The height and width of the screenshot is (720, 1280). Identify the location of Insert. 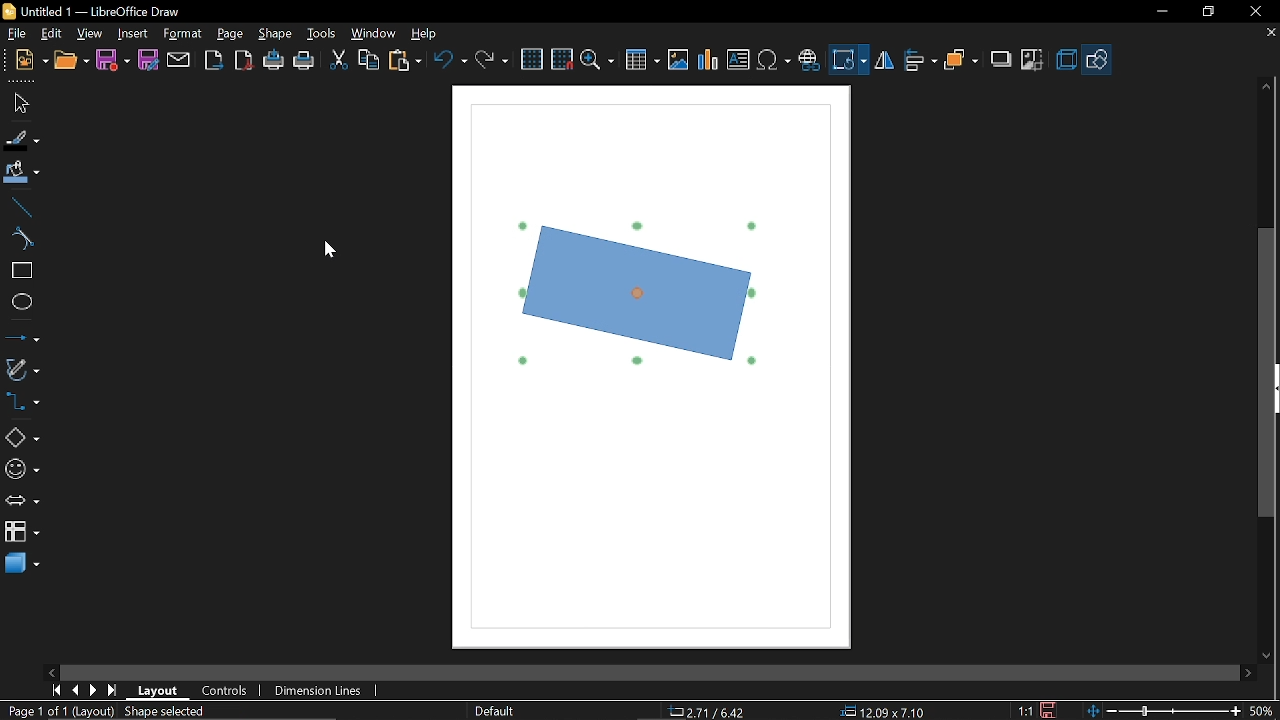
(134, 33).